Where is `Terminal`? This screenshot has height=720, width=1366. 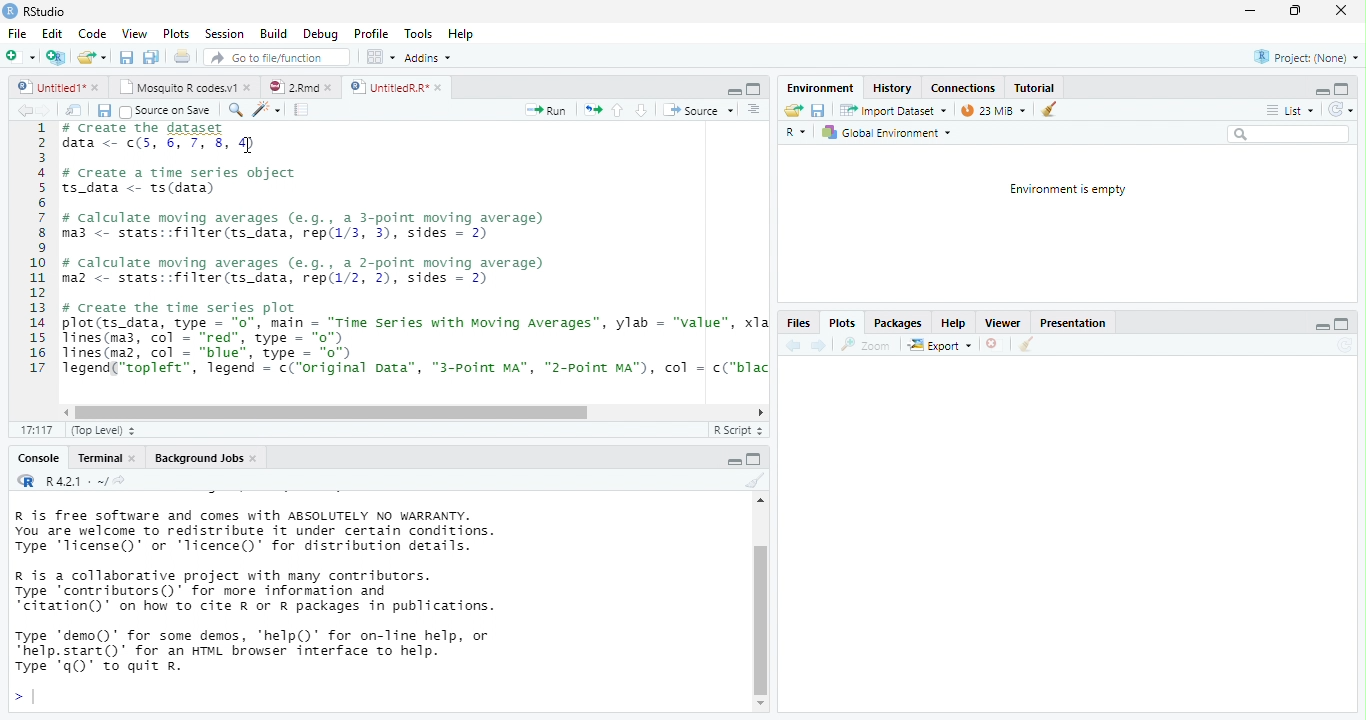 Terminal is located at coordinates (99, 458).